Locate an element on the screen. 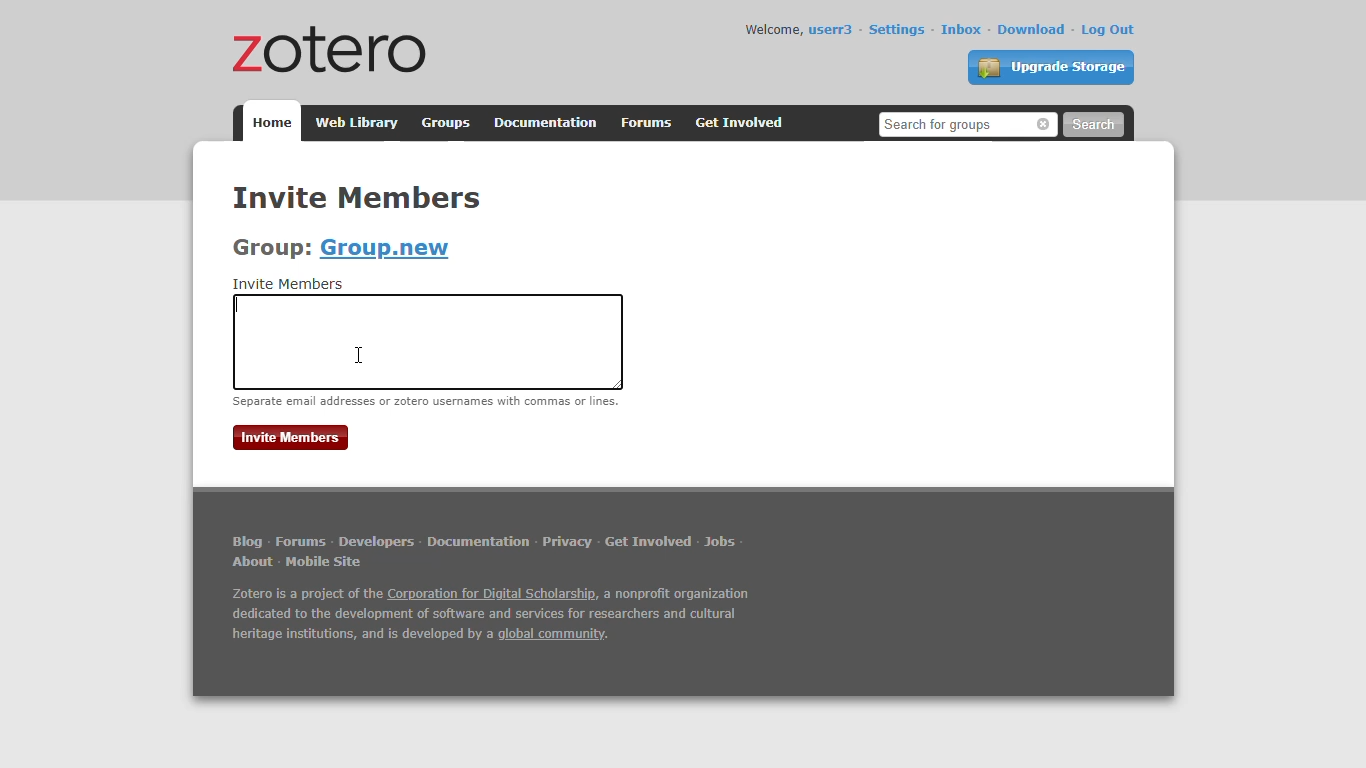  settings is located at coordinates (896, 29).